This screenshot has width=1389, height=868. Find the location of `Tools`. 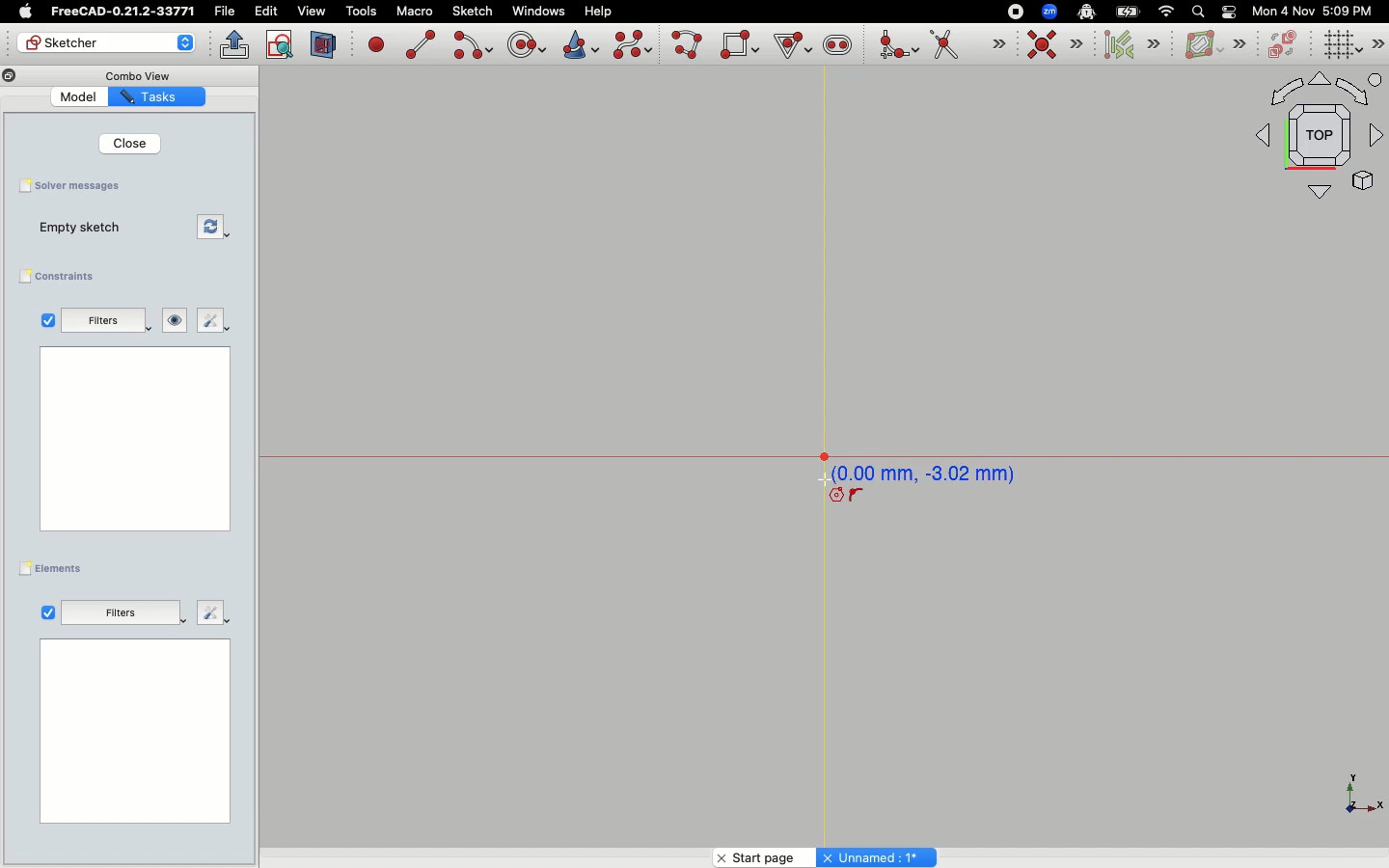

Tools is located at coordinates (361, 13).